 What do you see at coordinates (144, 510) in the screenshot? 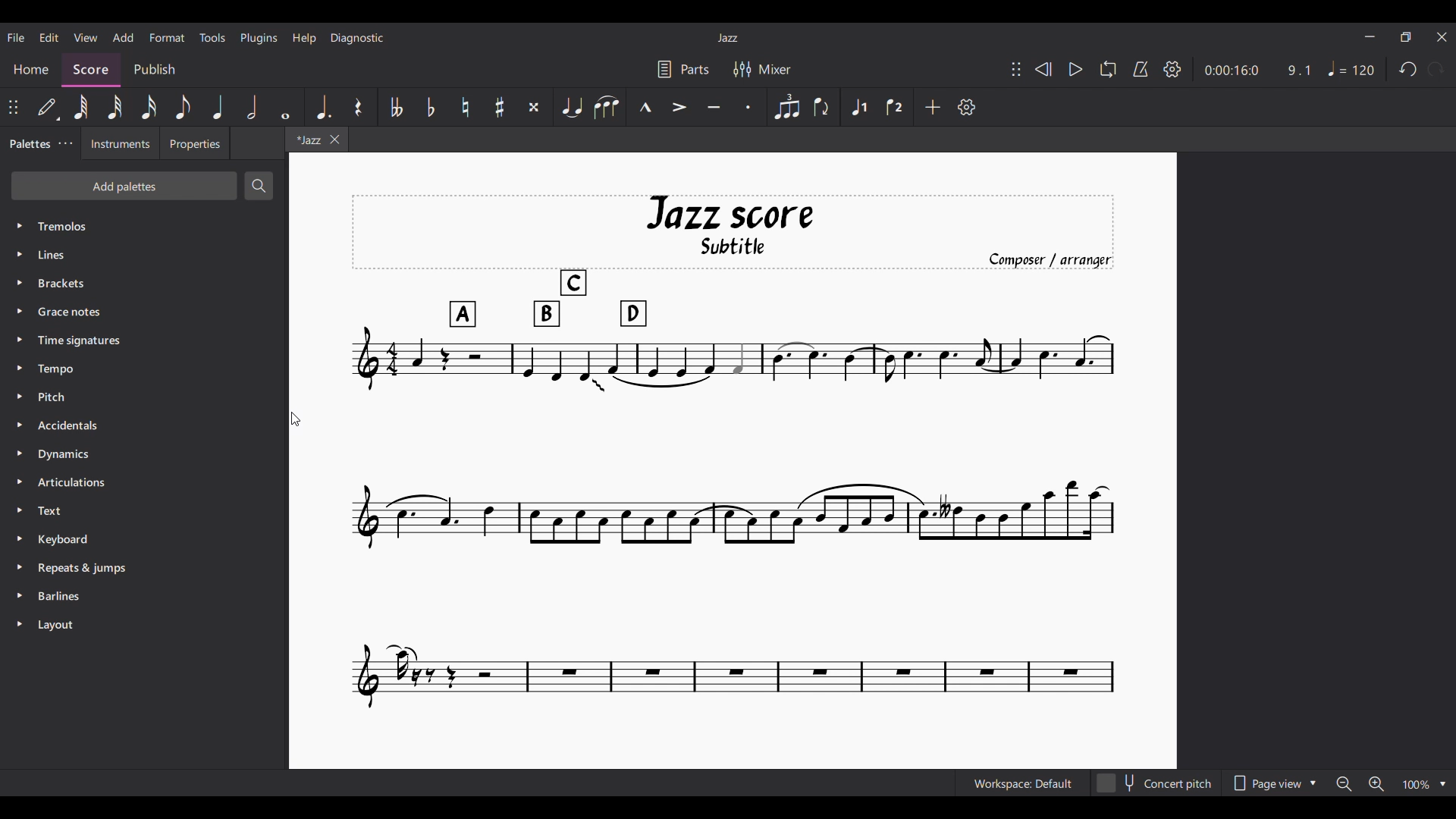
I see `Text` at bounding box center [144, 510].